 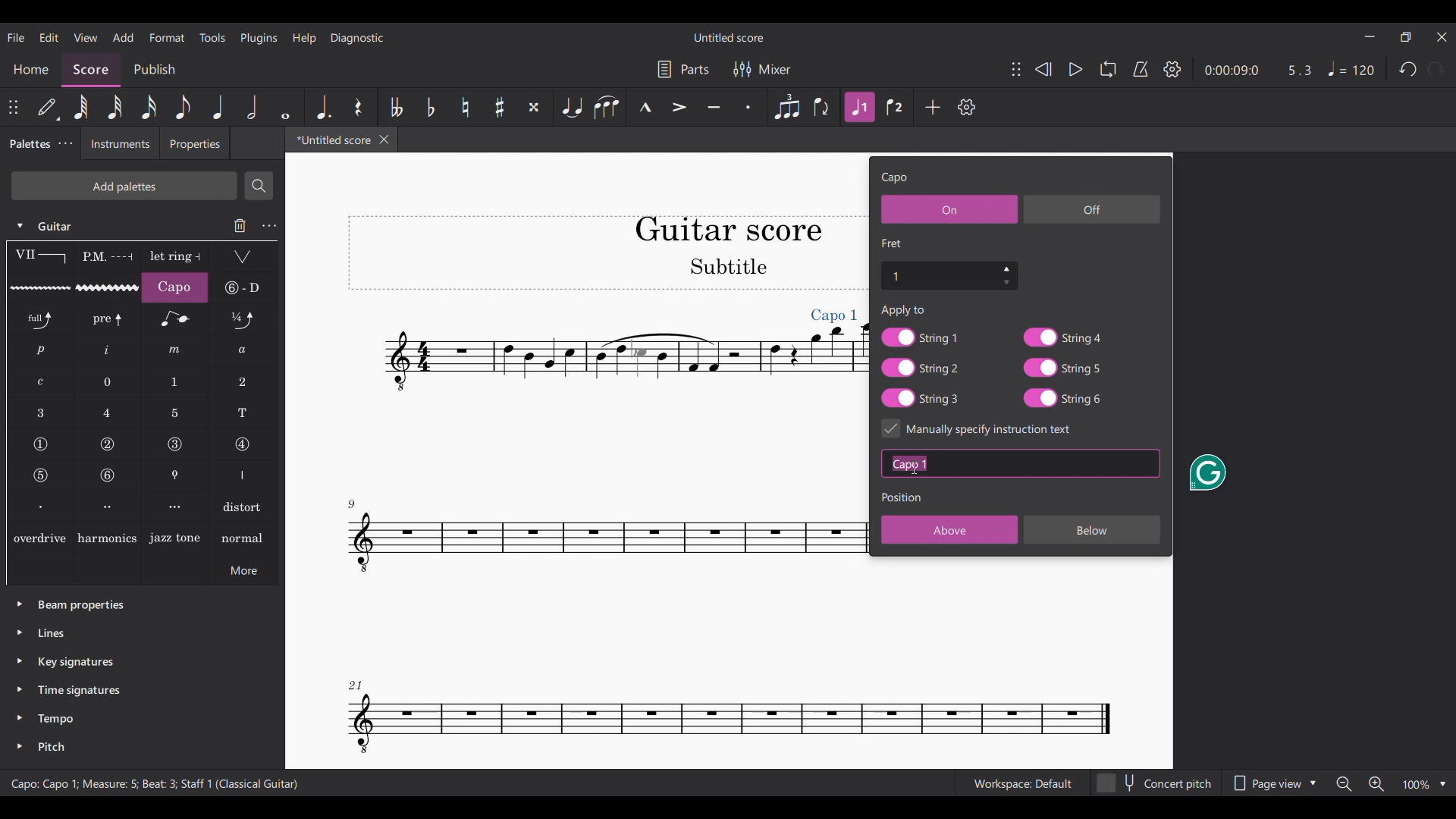 What do you see at coordinates (714, 107) in the screenshot?
I see `Tenuto` at bounding box center [714, 107].